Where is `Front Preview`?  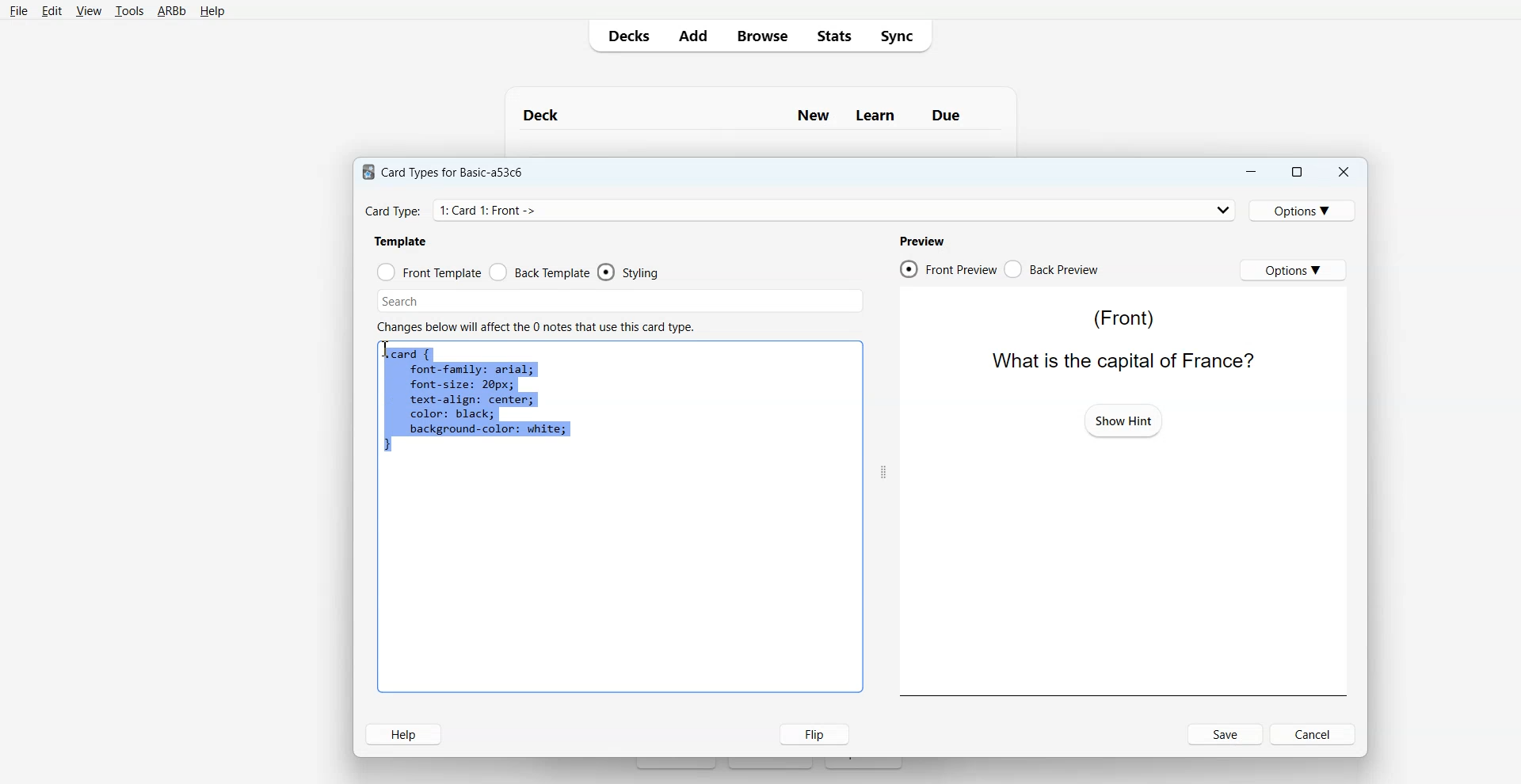 Front Preview is located at coordinates (947, 269).